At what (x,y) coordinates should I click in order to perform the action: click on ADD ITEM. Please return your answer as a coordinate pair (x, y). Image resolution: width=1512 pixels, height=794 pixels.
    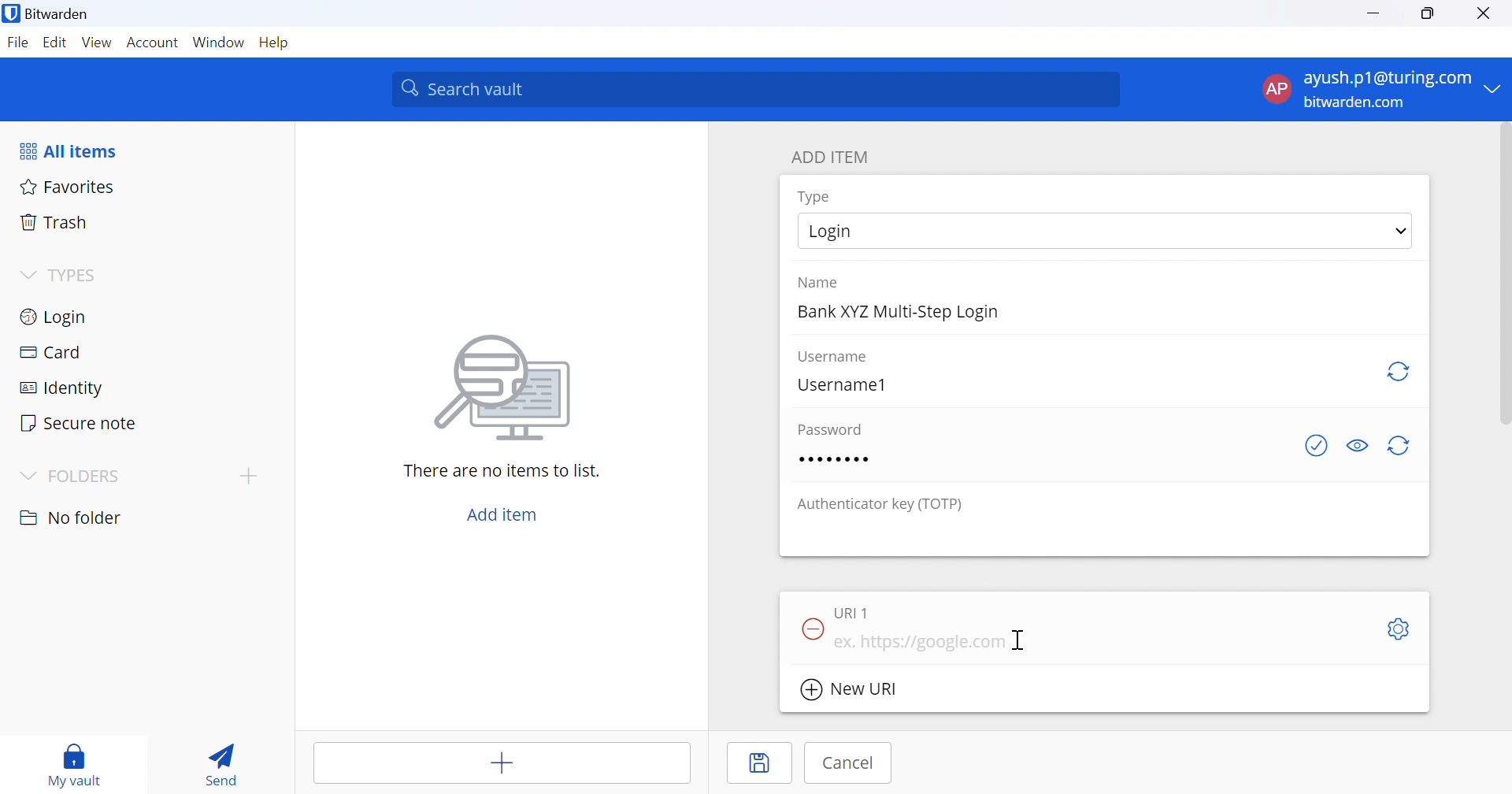
    Looking at the image, I should click on (834, 155).